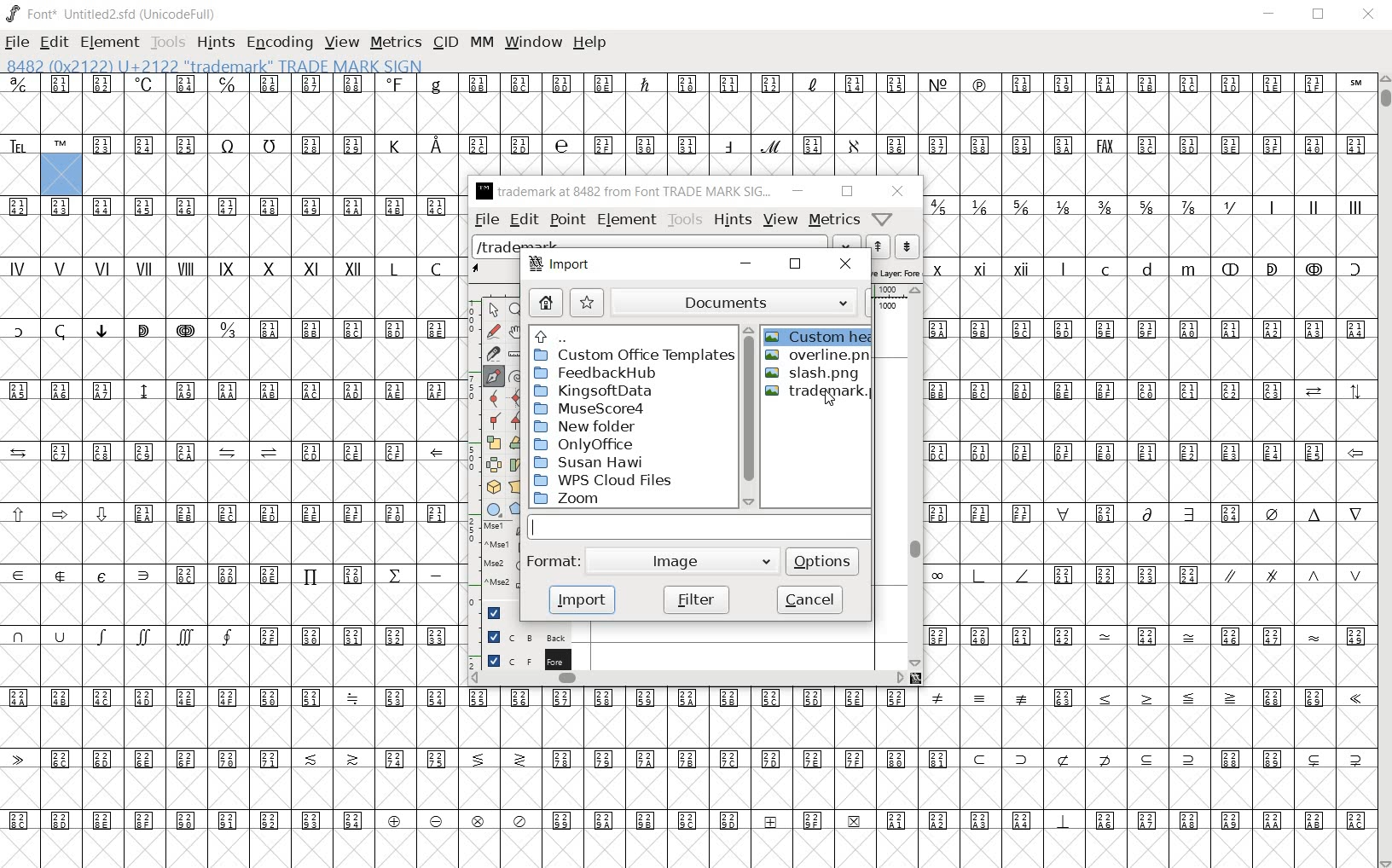 This screenshot has width=1392, height=868. I want to click on METRICS, so click(395, 44).